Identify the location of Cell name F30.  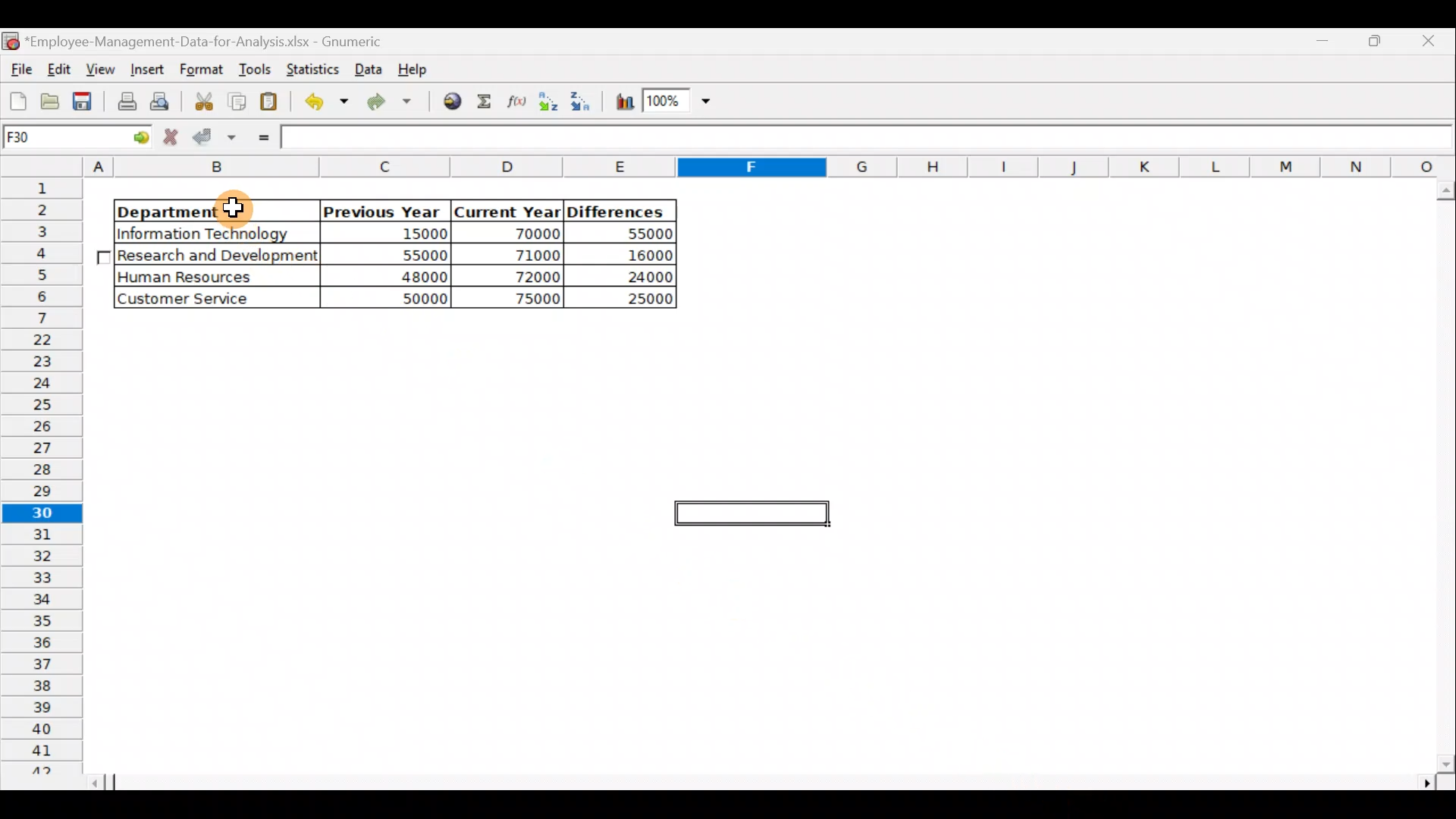
(51, 139).